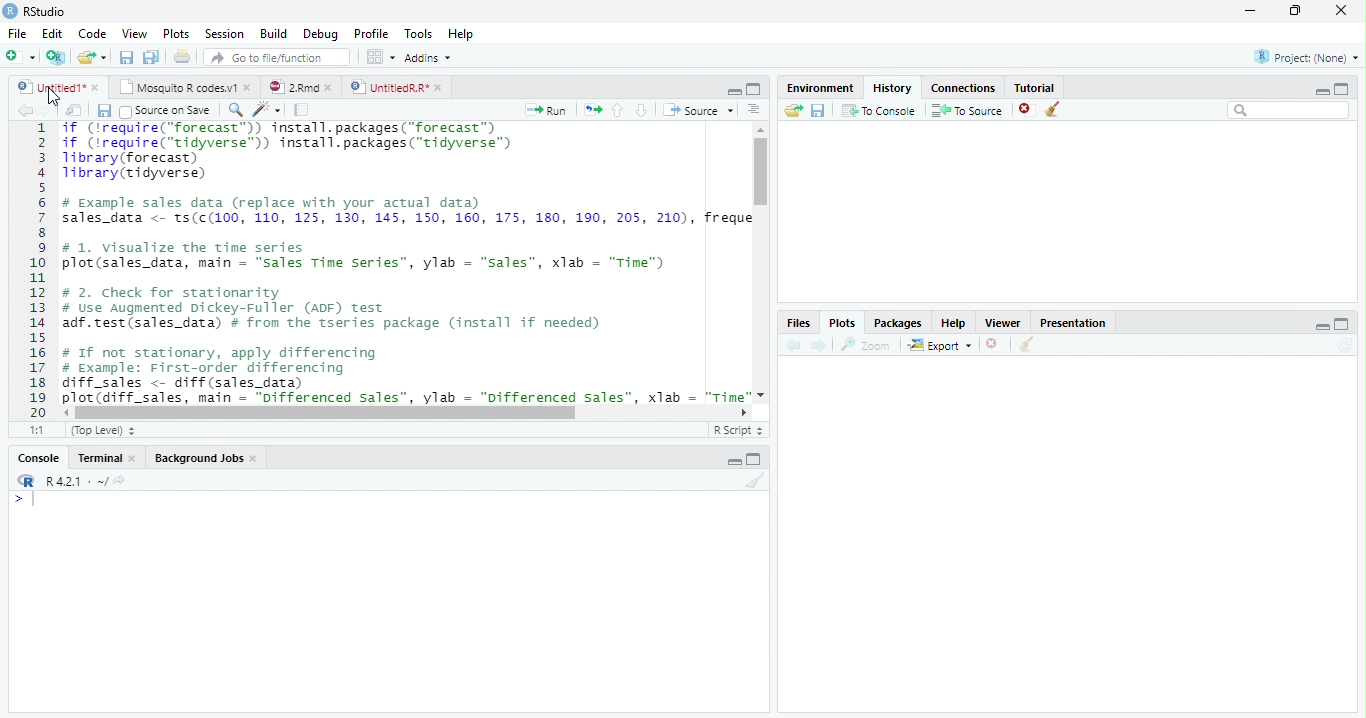 This screenshot has height=718, width=1366. Describe the element at coordinates (175, 32) in the screenshot. I see `Plots` at that location.